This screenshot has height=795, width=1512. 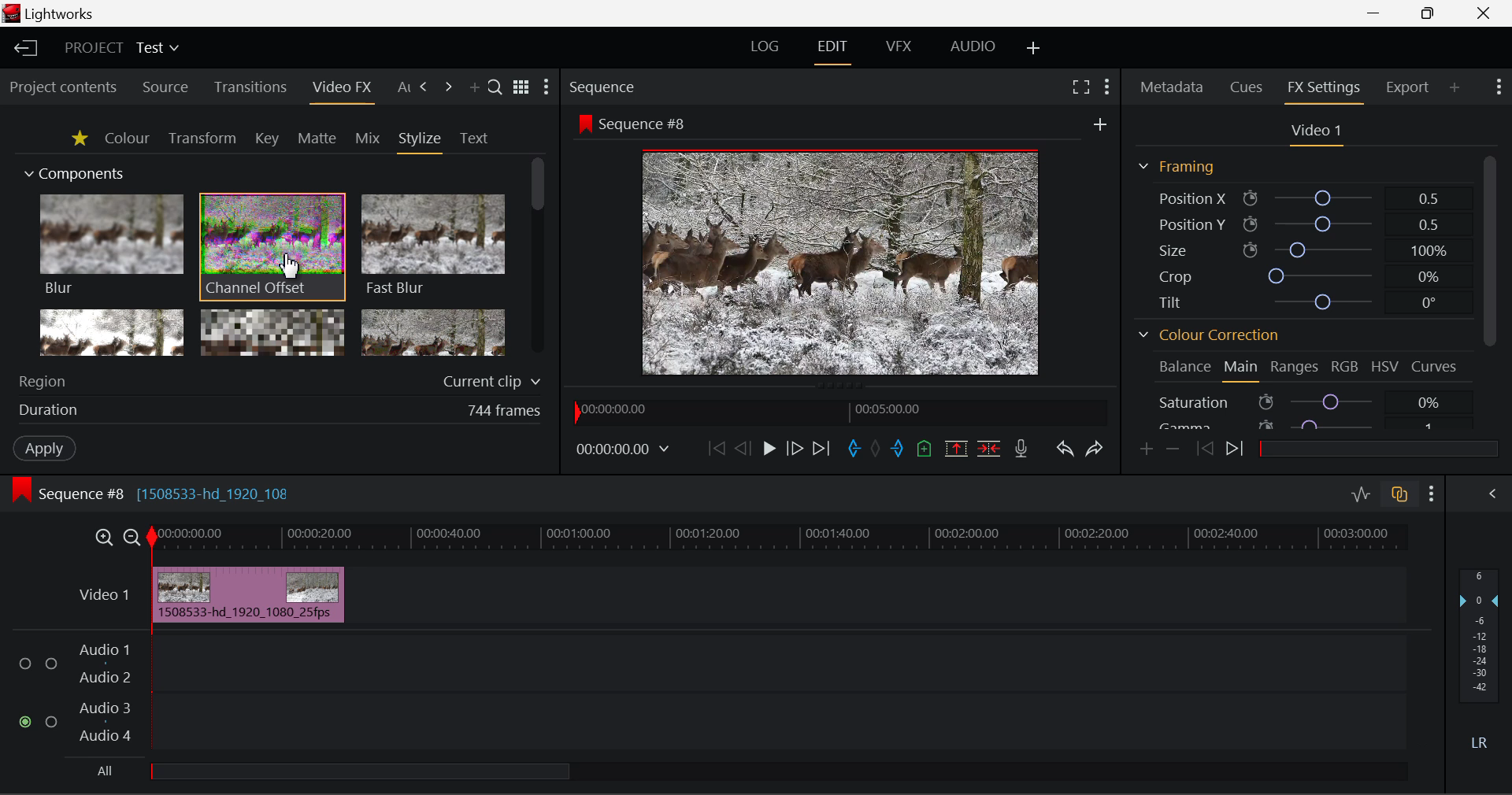 I want to click on Next Tab, so click(x=425, y=87).